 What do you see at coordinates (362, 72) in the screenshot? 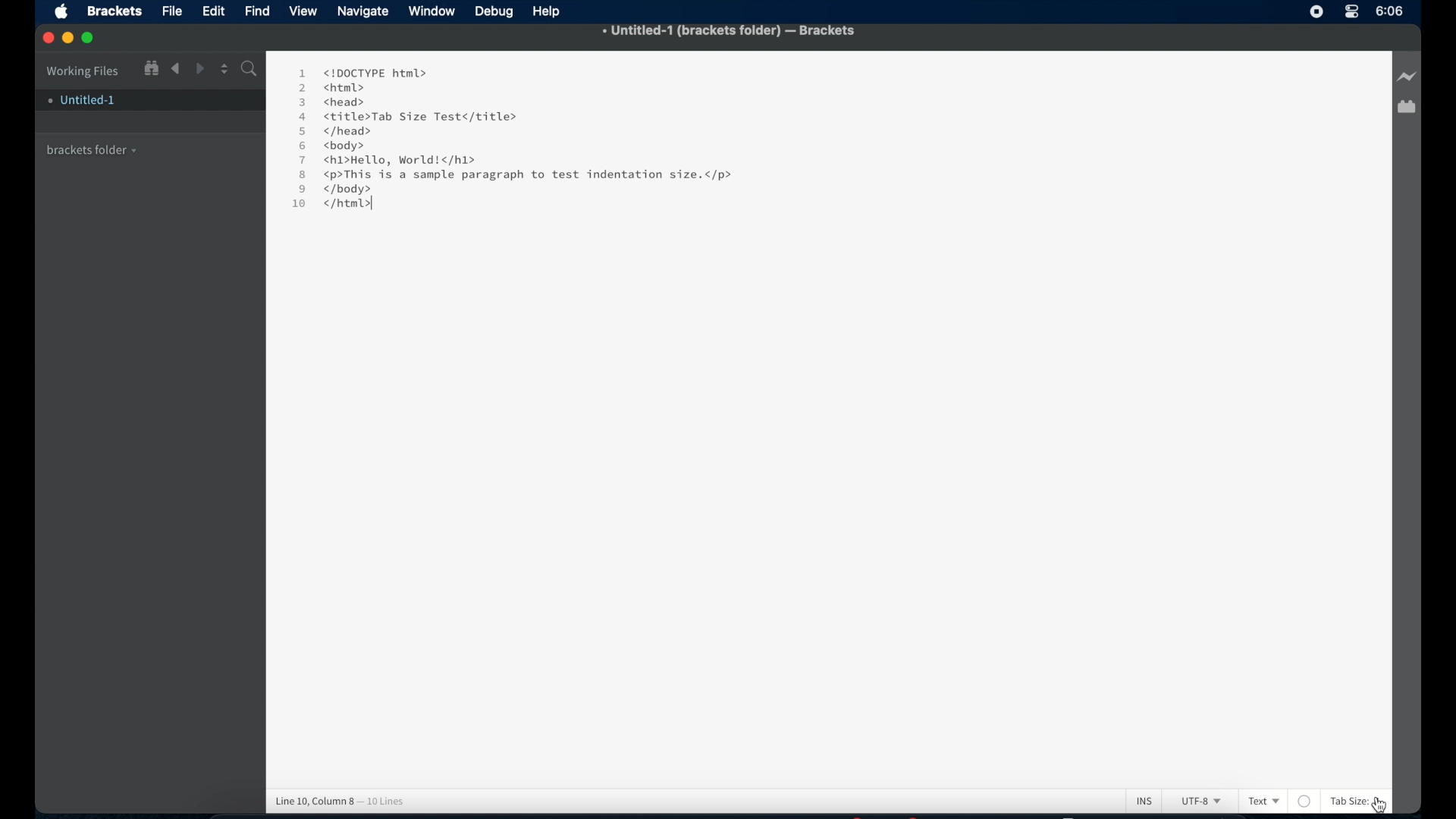
I see `1  <!DOCTYPE html>` at bounding box center [362, 72].